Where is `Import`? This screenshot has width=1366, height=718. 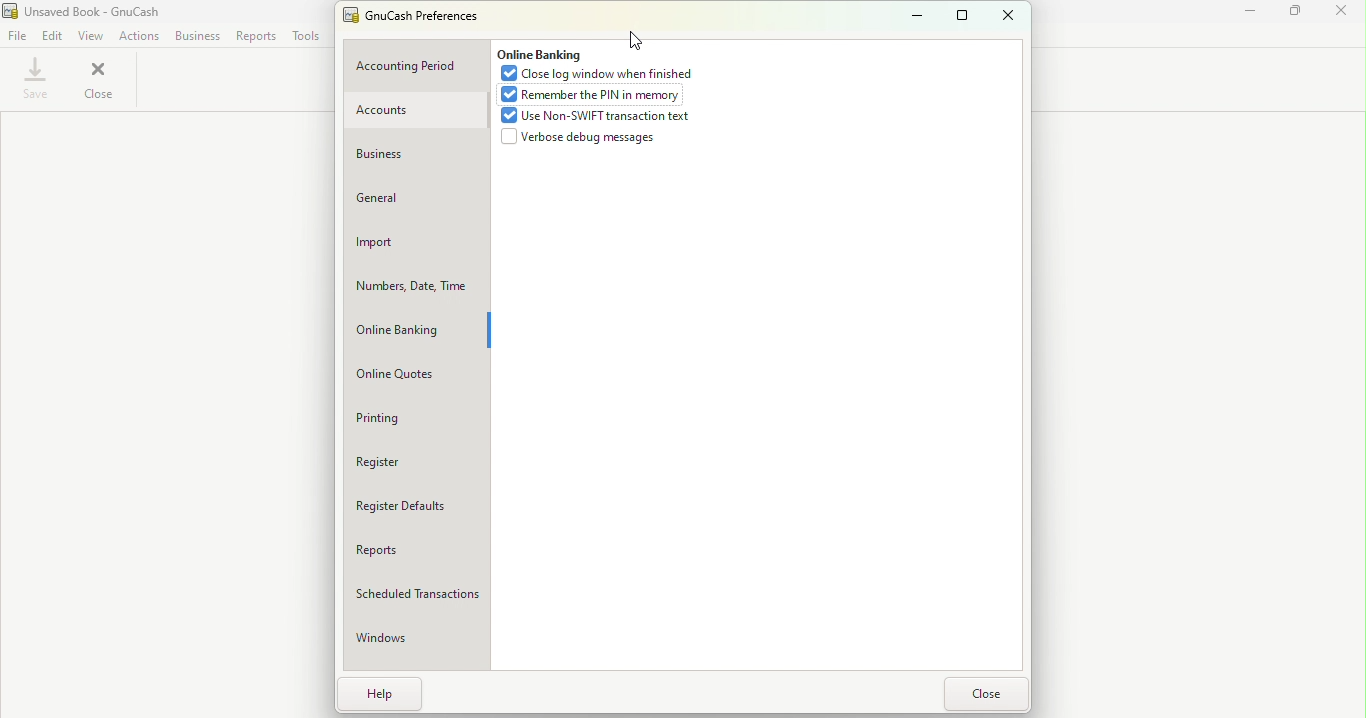 Import is located at coordinates (414, 246).